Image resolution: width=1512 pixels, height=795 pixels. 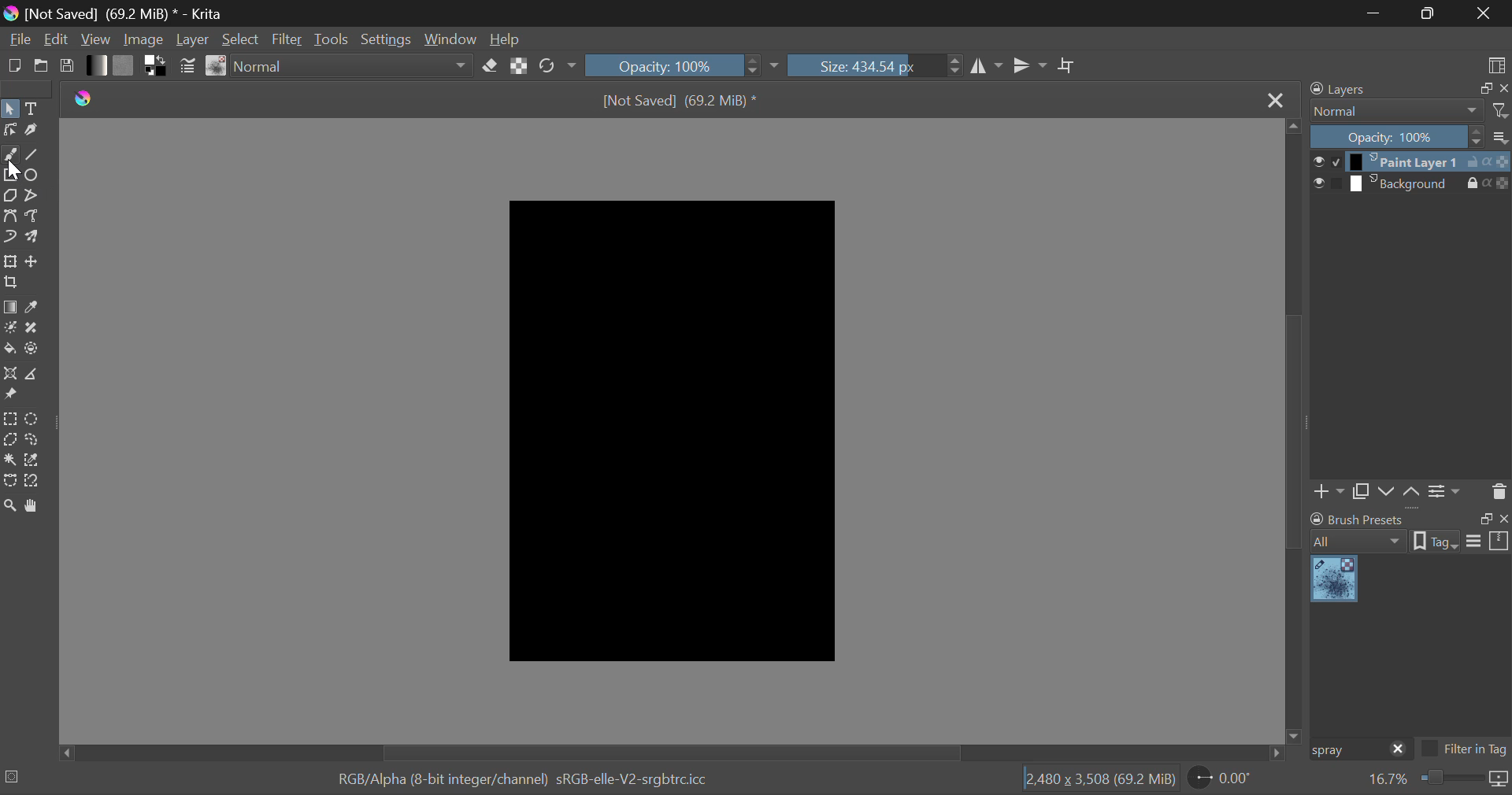 What do you see at coordinates (10, 438) in the screenshot?
I see `Polygon Selection` at bounding box center [10, 438].